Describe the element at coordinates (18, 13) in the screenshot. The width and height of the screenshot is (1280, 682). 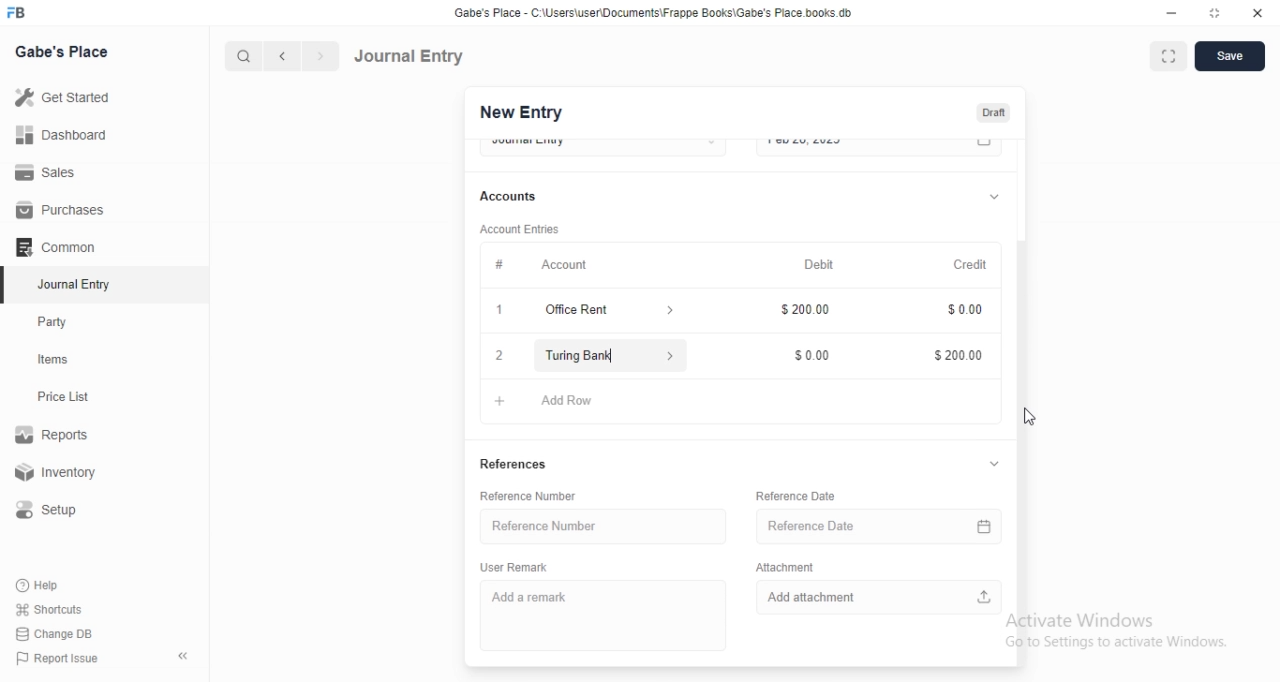
I see `FB logo` at that location.